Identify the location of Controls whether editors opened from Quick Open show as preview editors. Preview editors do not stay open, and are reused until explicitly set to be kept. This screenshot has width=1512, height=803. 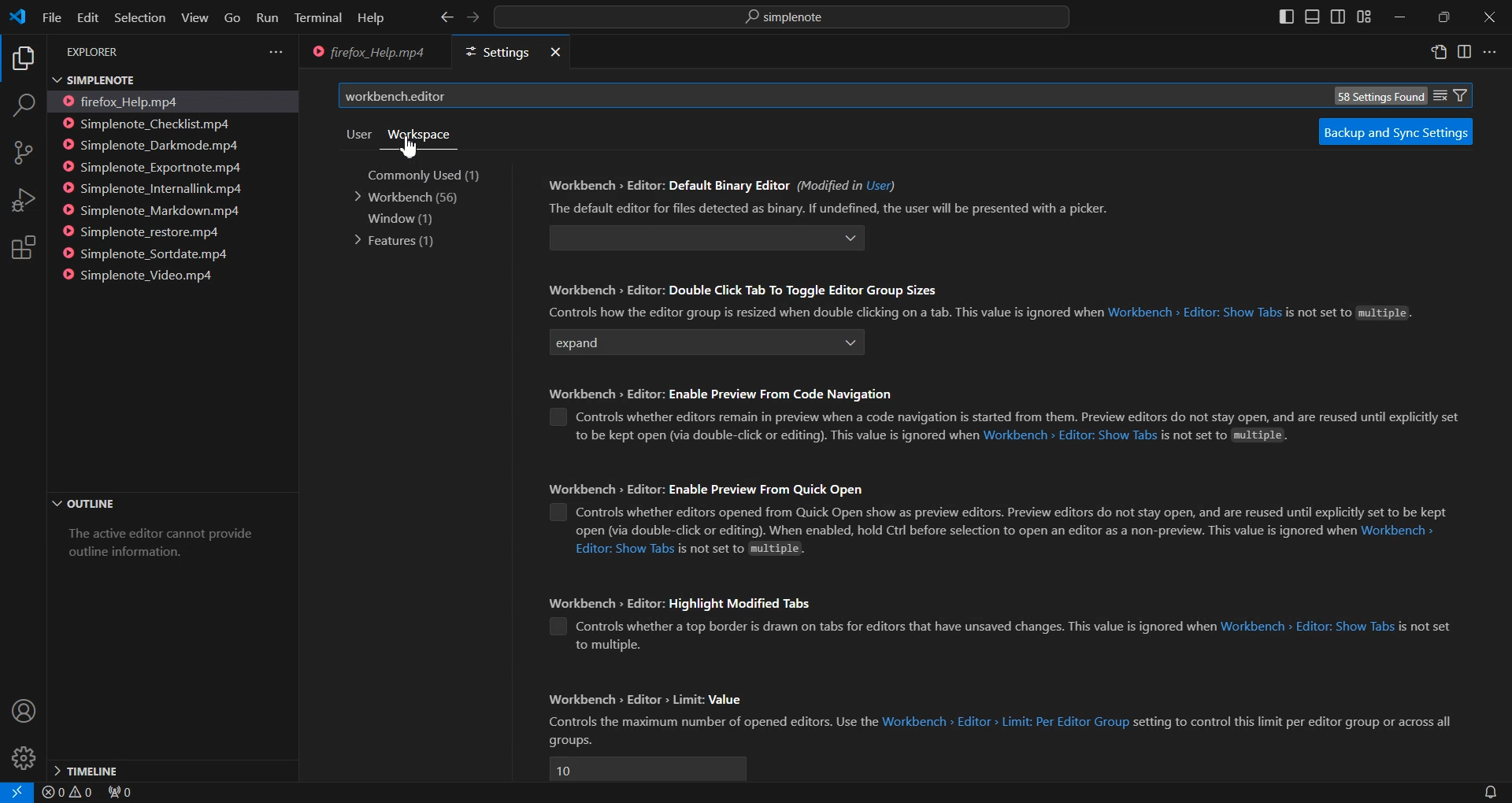
(1012, 512).